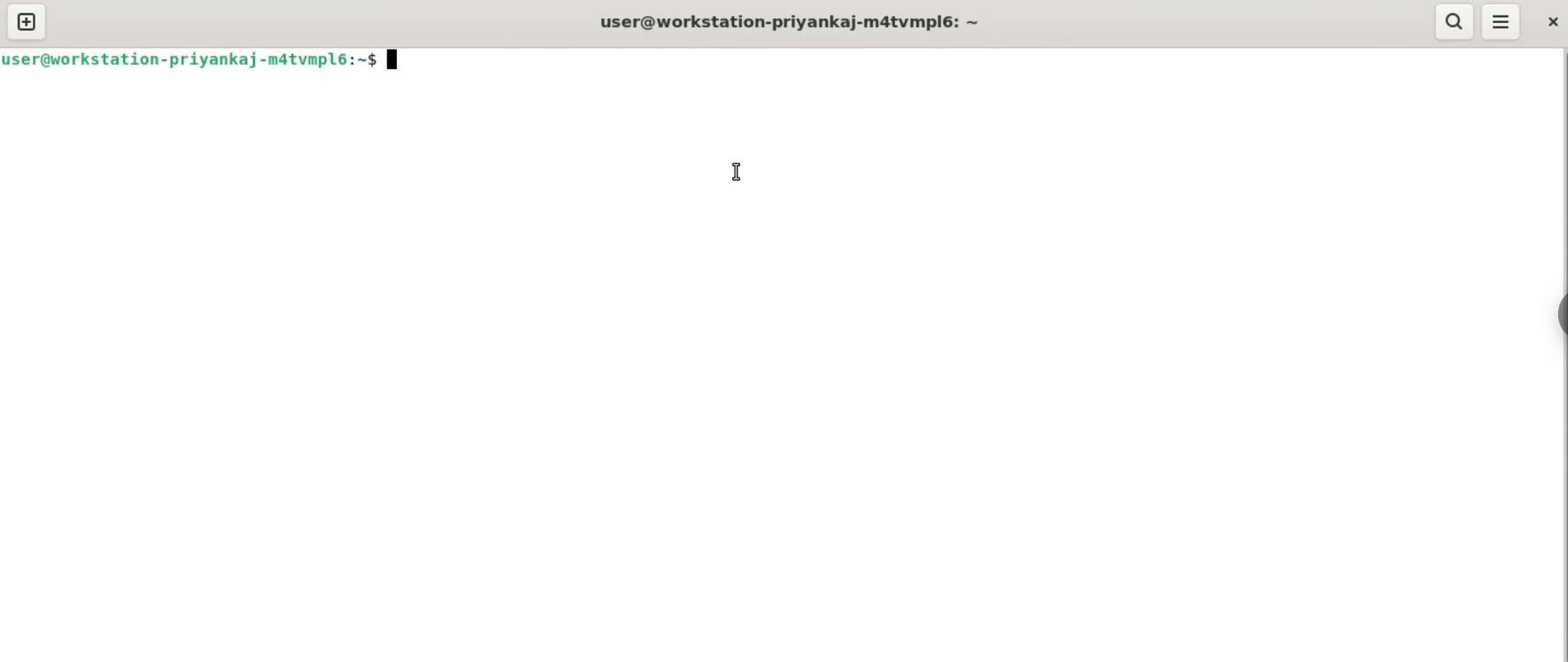 The image size is (1568, 662). What do you see at coordinates (1558, 315) in the screenshot?
I see `sidebar` at bounding box center [1558, 315].